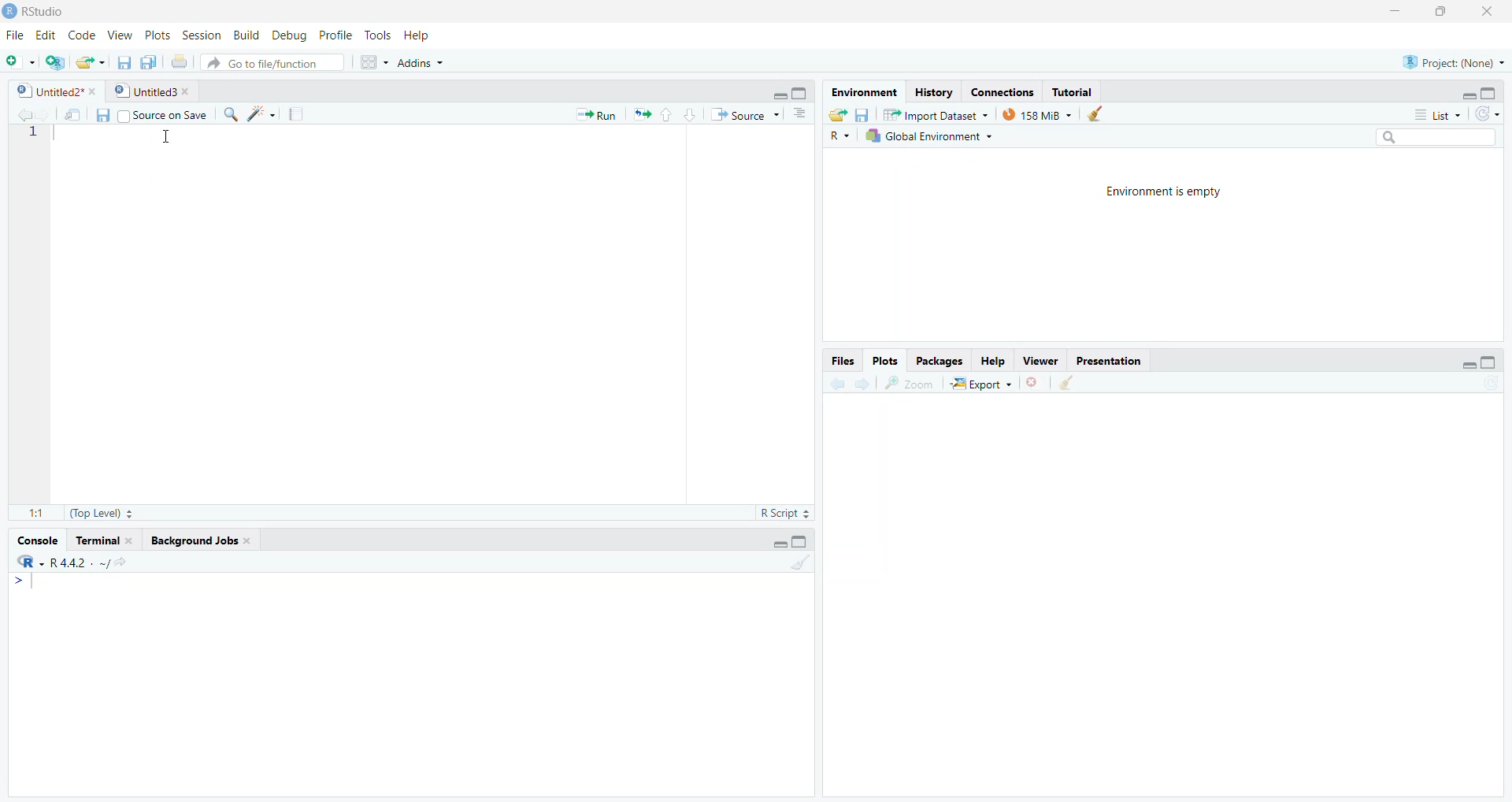 This screenshot has height=802, width=1512. Describe the element at coordinates (863, 91) in the screenshot. I see `Environment` at that location.